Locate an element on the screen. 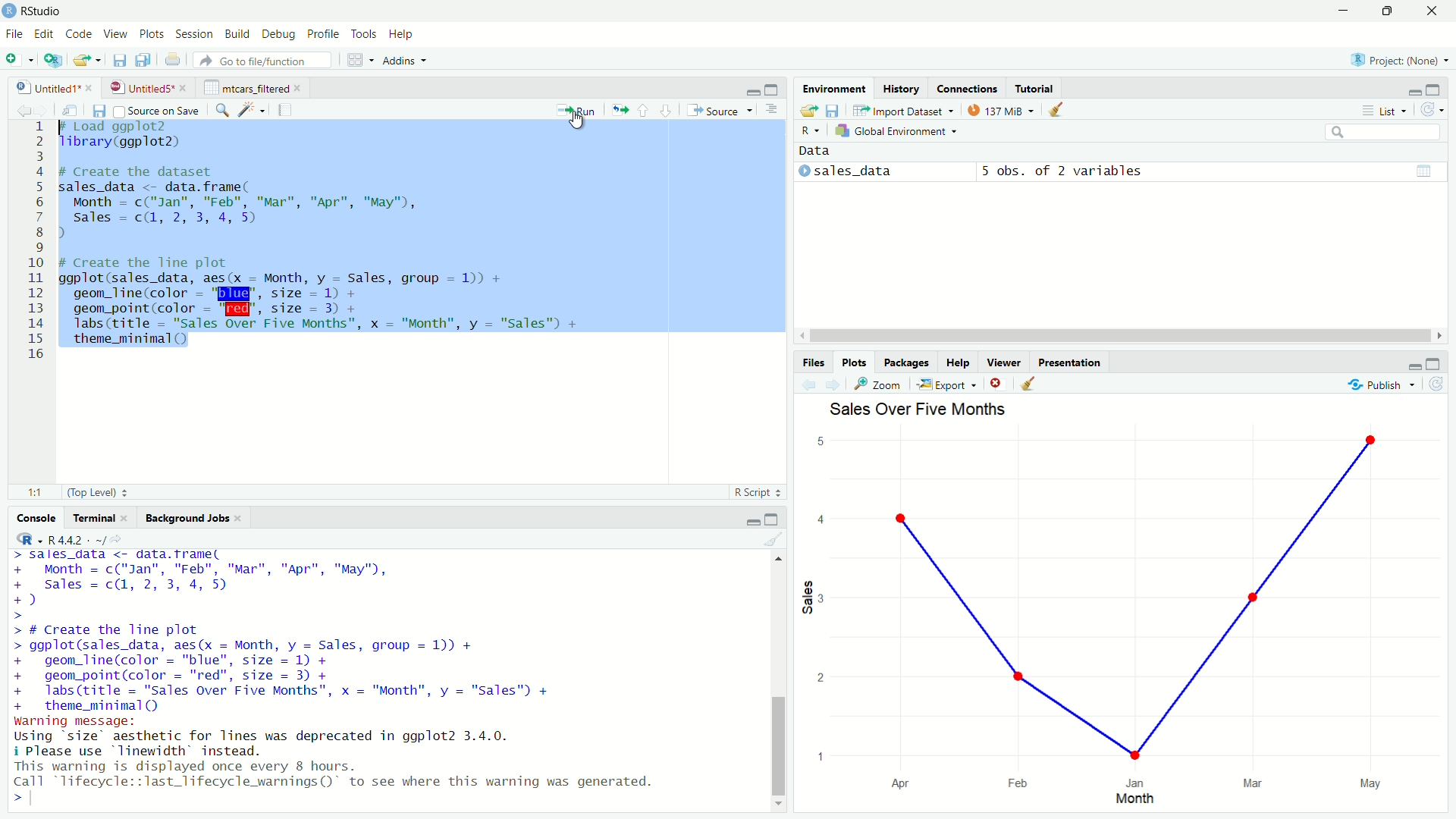 This screenshot has width=1456, height=819. maximize is located at coordinates (1432, 365).